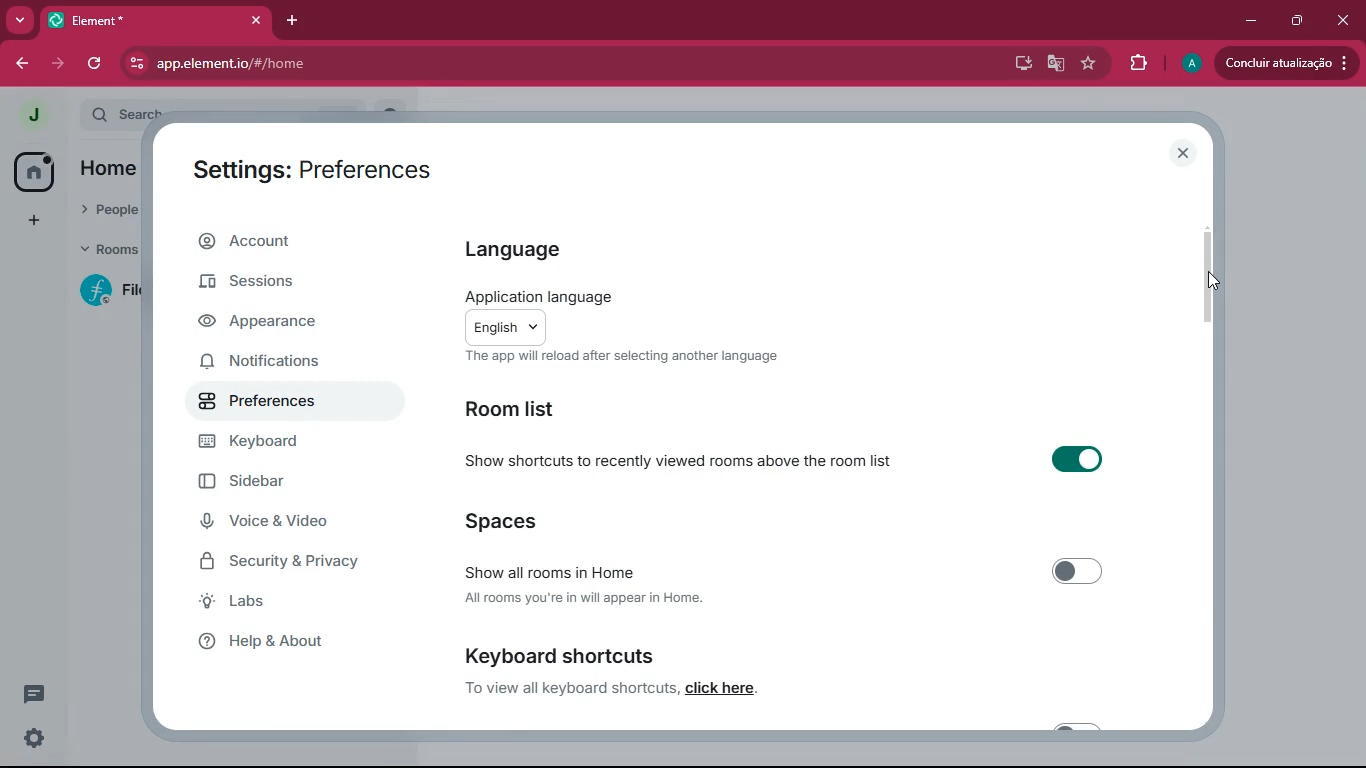 The width and height of the screenshot is (1366, 768). What do you see at coordinates (33, 220) in the screenshot?
I see `add` at bounding box center [33, 220].